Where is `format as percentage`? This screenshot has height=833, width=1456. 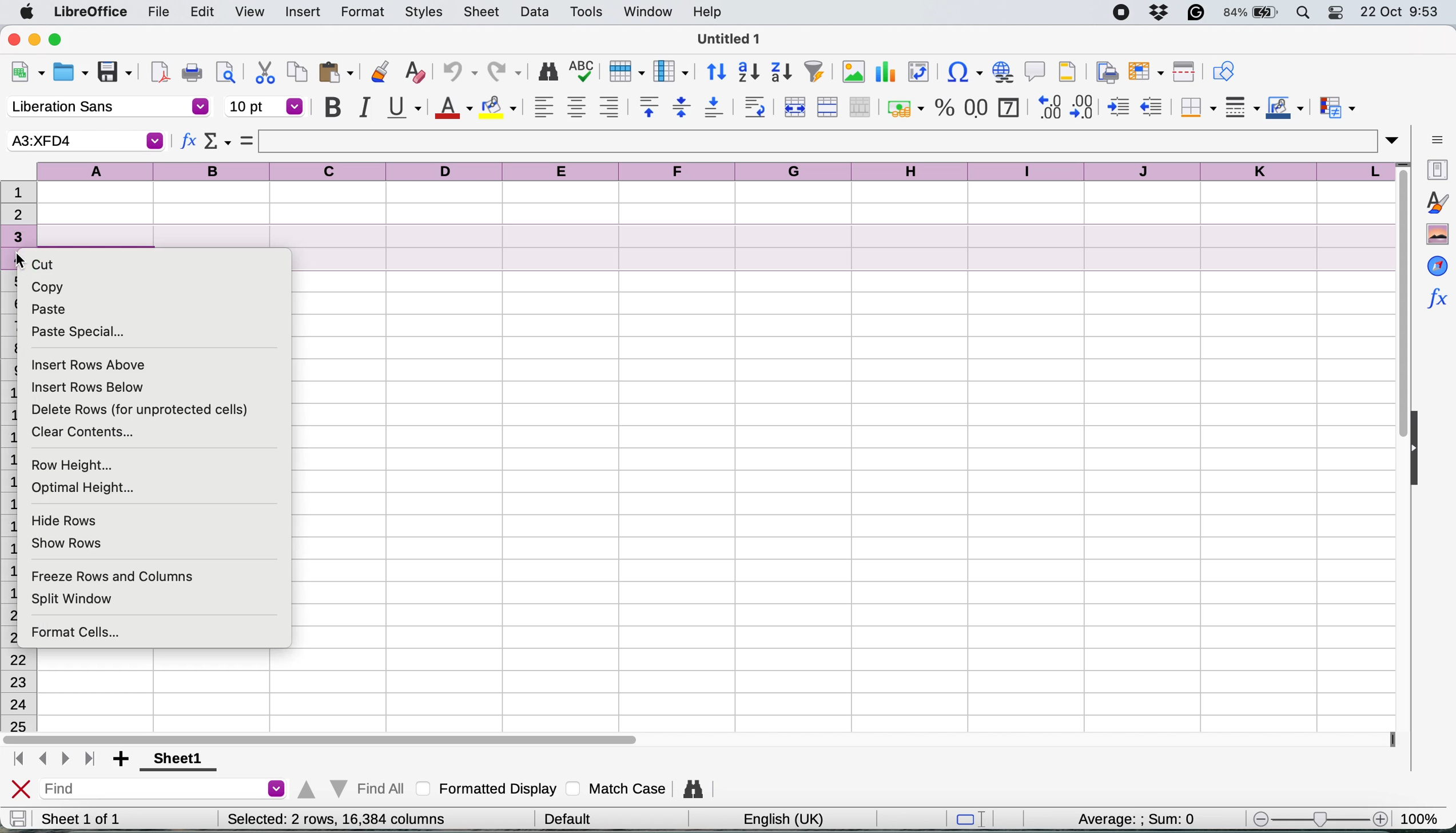
format as percentage is located at coordinates (945, 108).